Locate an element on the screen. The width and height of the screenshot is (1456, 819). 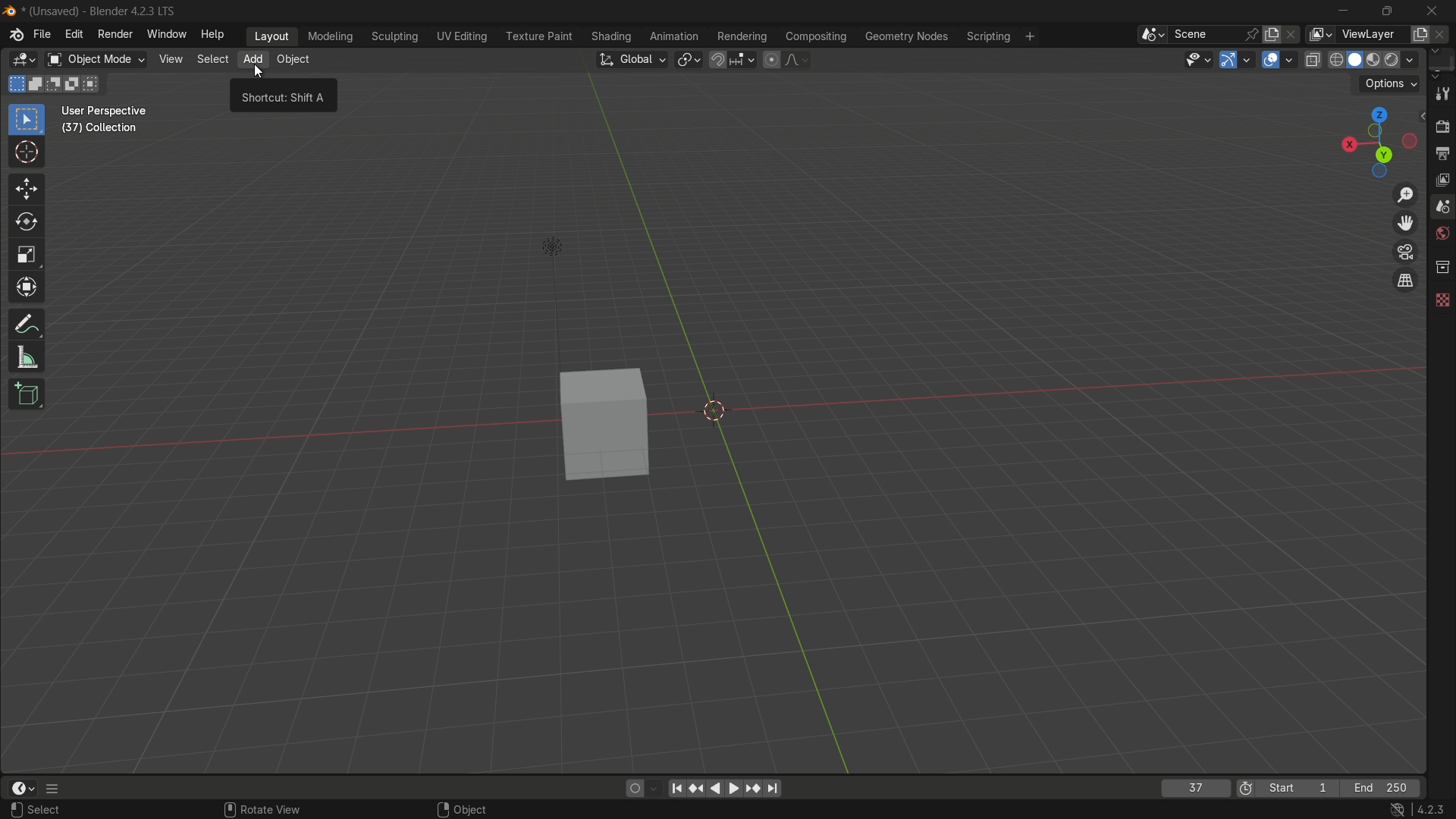
intersect existing selection is located at coordinates (98, 84).